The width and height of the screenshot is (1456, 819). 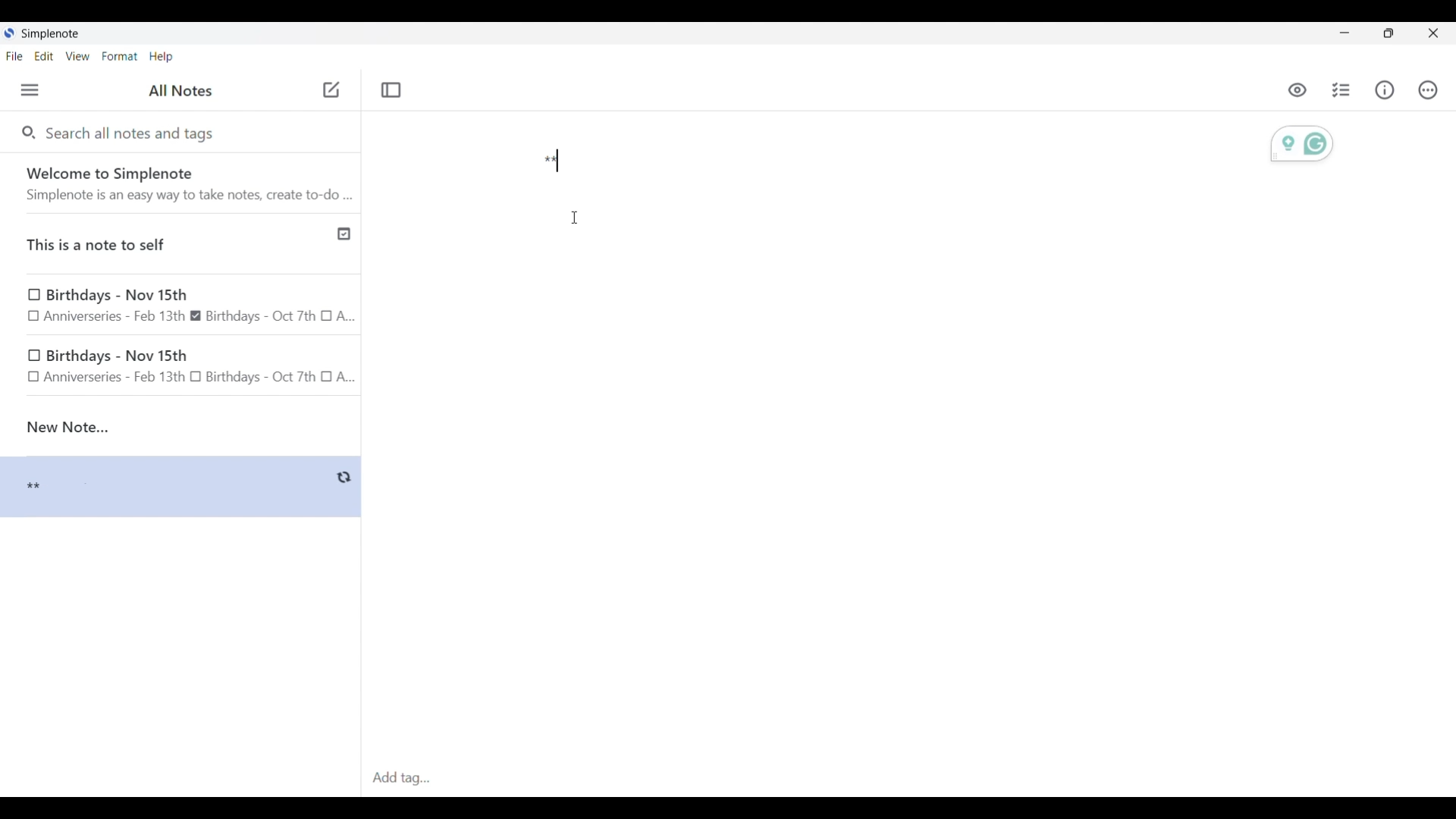 What do you see at coordinates (78, 55) in the screenshot?
I see `View menu` at bounding box center [78, 55].